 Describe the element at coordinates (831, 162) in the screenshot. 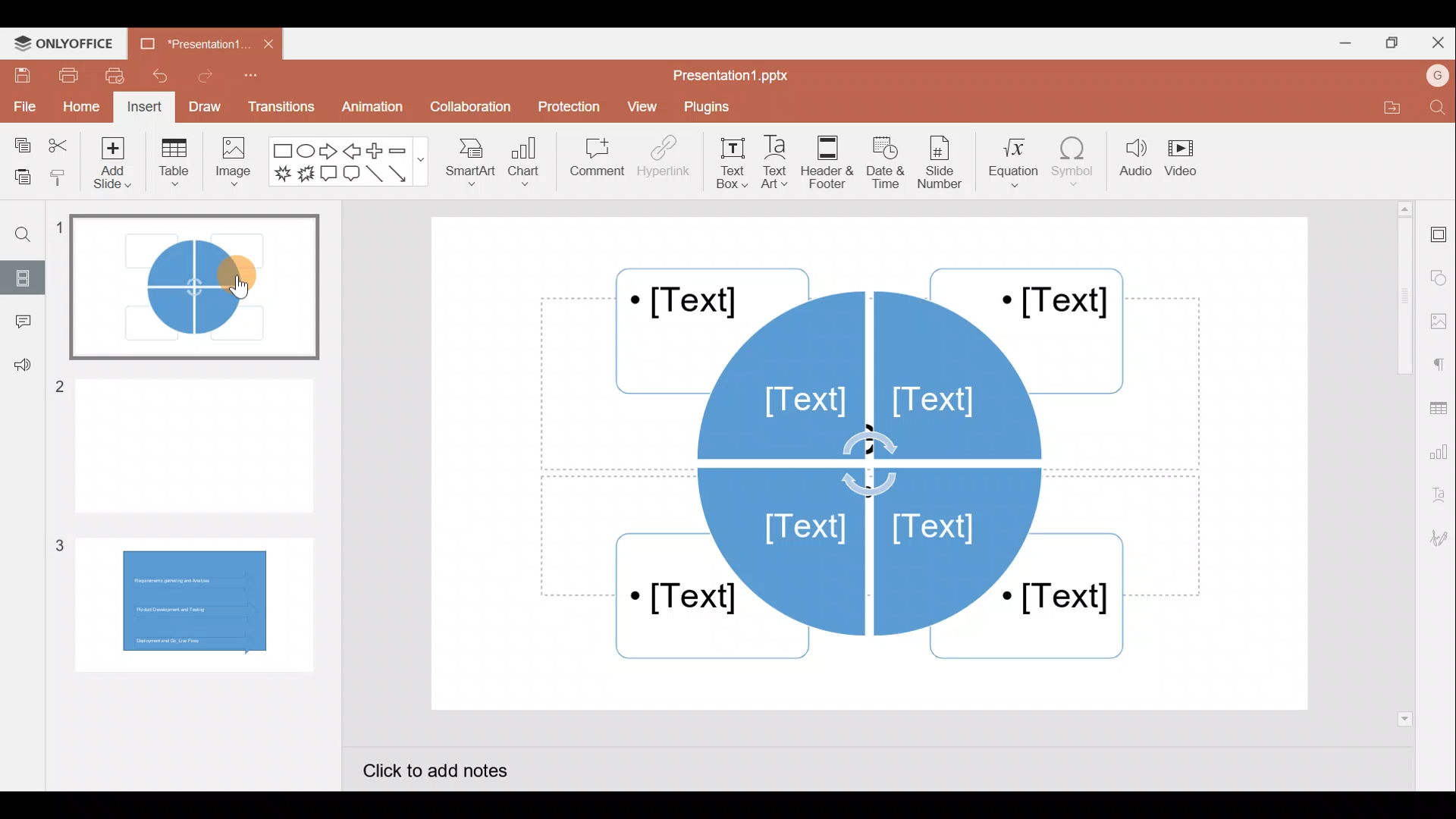

I see `Header & footer` at that location.